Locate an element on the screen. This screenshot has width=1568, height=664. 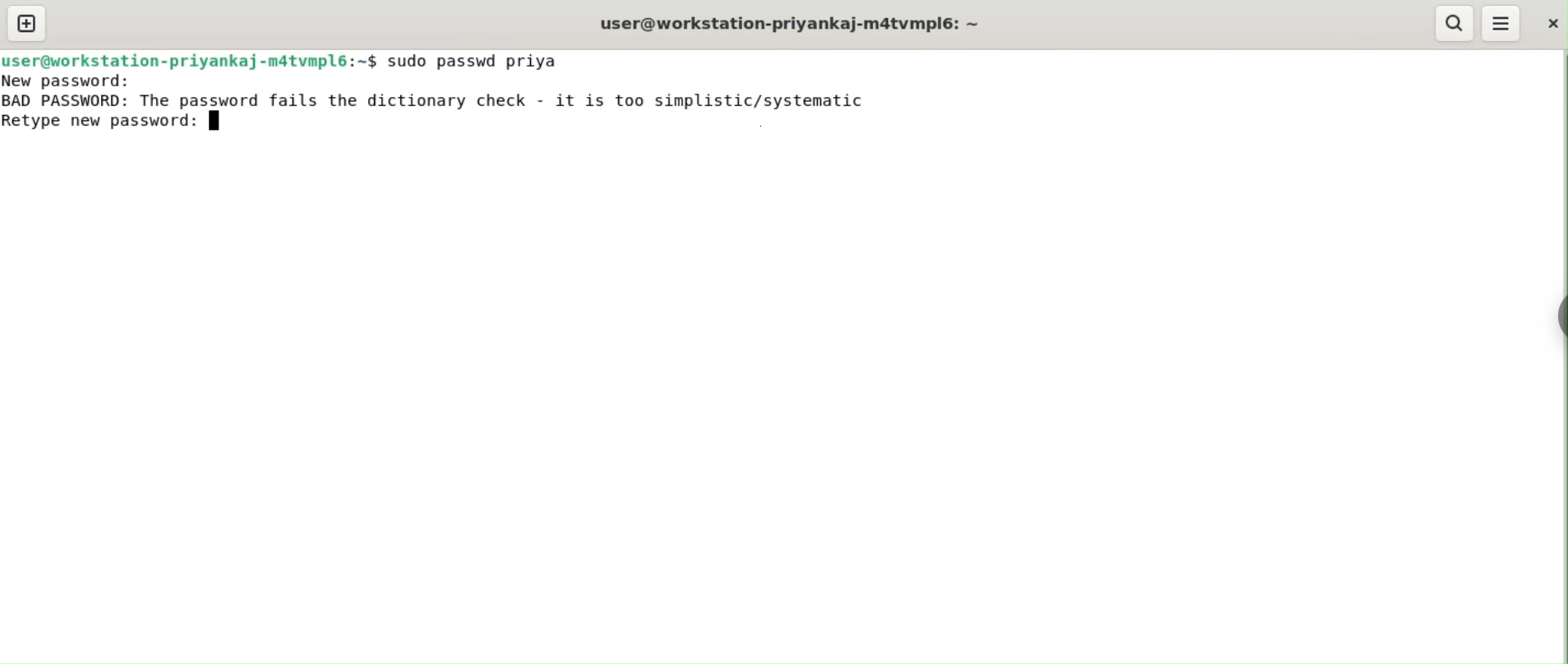
close is located at coordinates (1554, 24).